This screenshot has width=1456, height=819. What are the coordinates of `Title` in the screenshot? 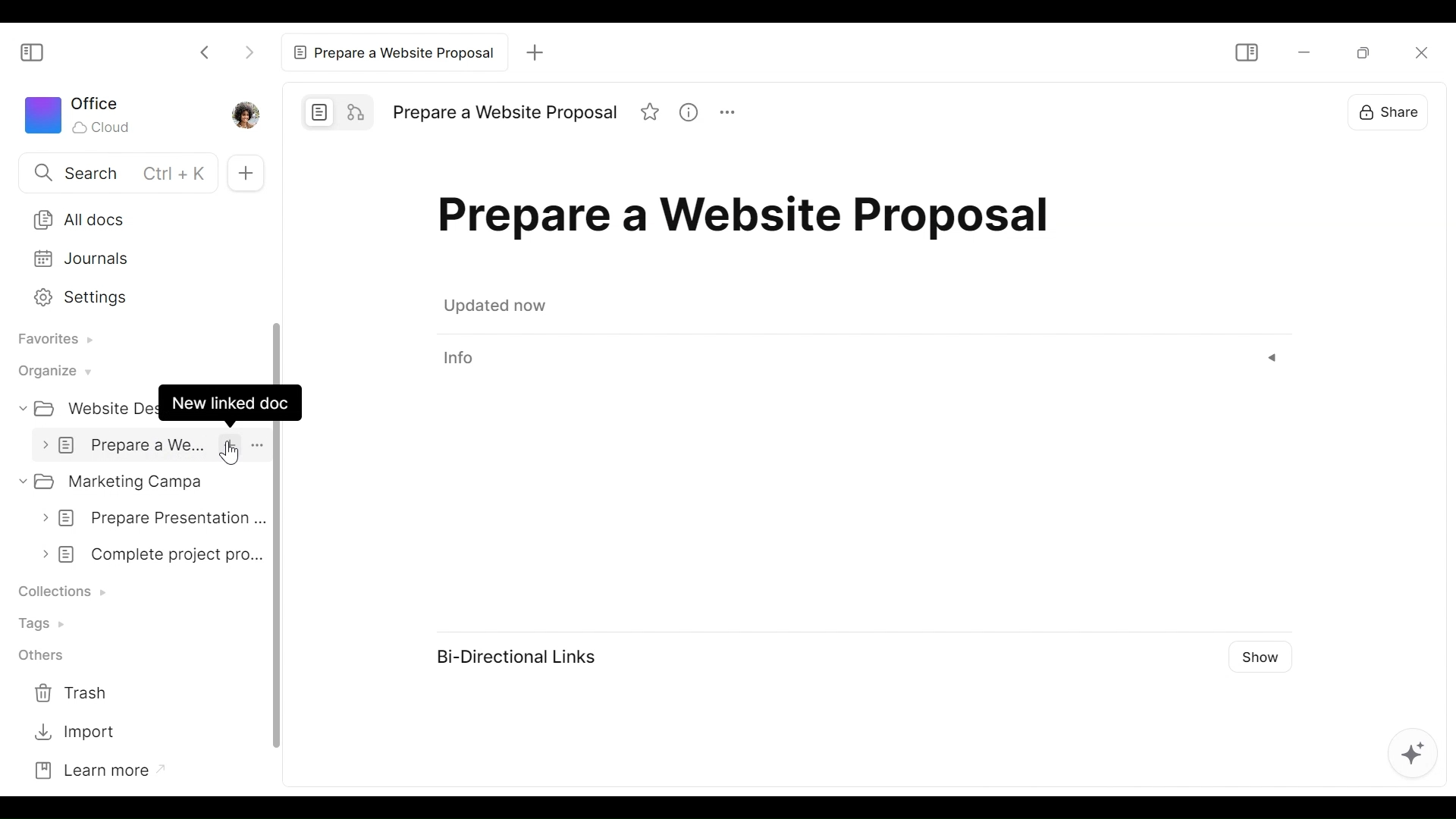 It's located at (750, 222).